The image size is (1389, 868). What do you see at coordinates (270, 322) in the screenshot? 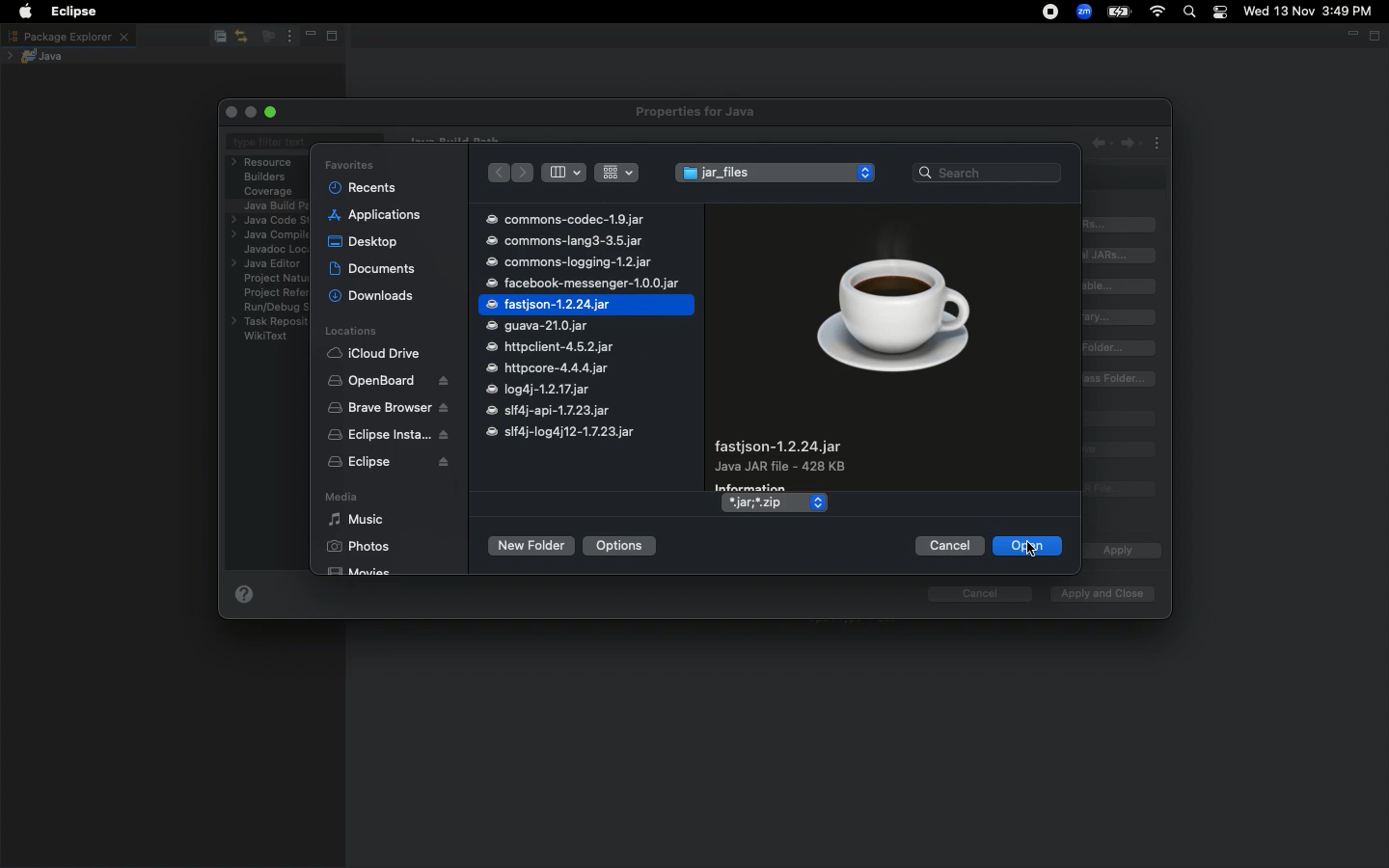
I see `Task repository` at bounding box center [270, 322].